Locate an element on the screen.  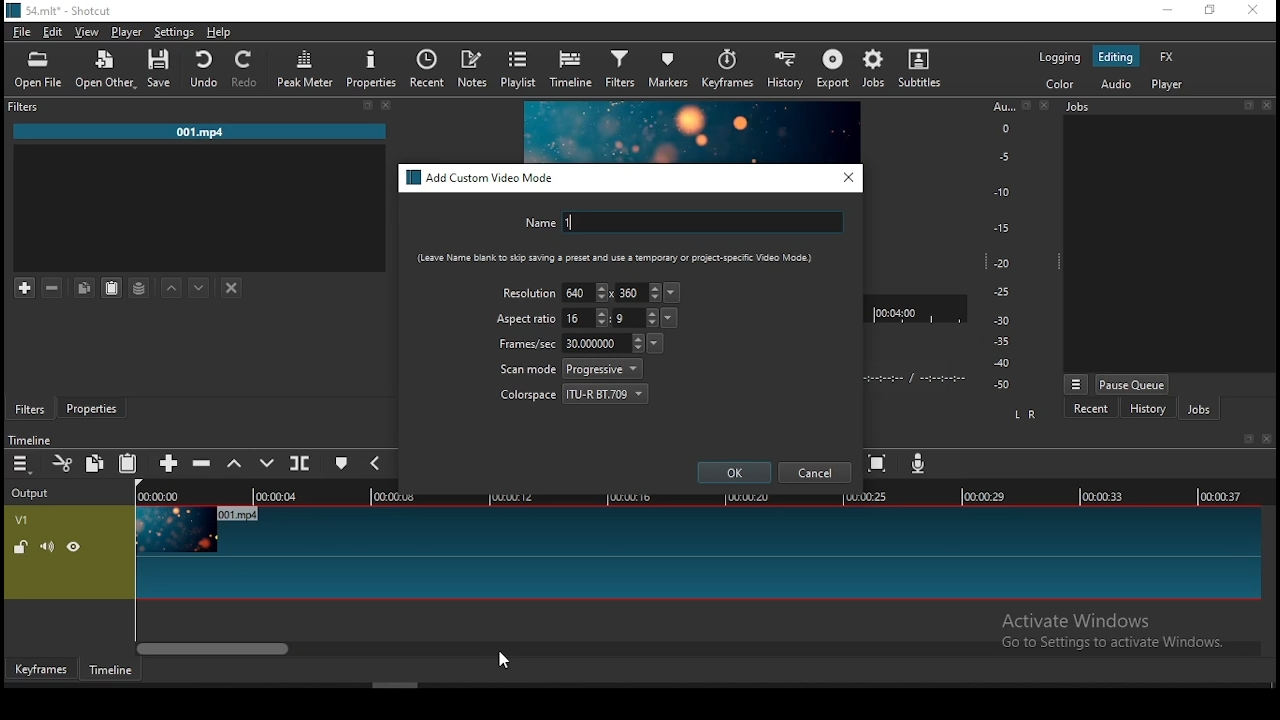
previous marker is located at coordinates (374, 462).